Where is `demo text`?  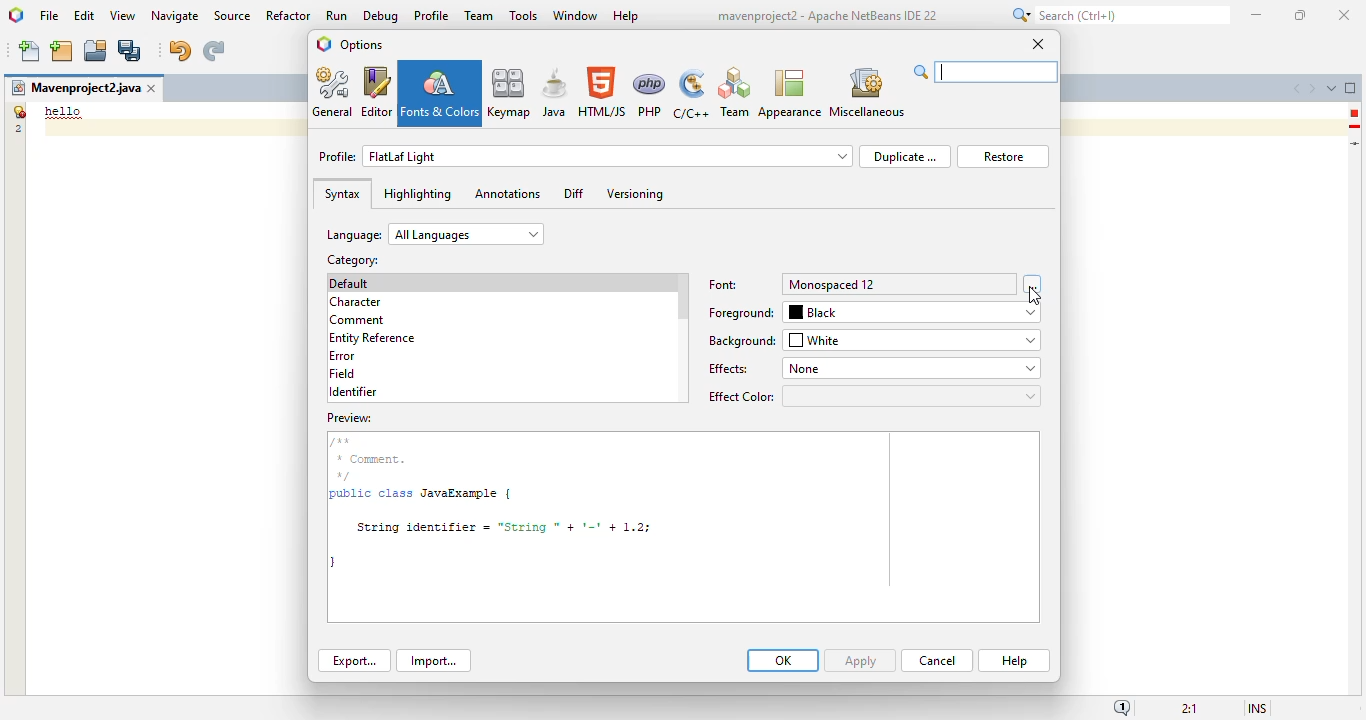 demo text is located at coordinates (64, 111).